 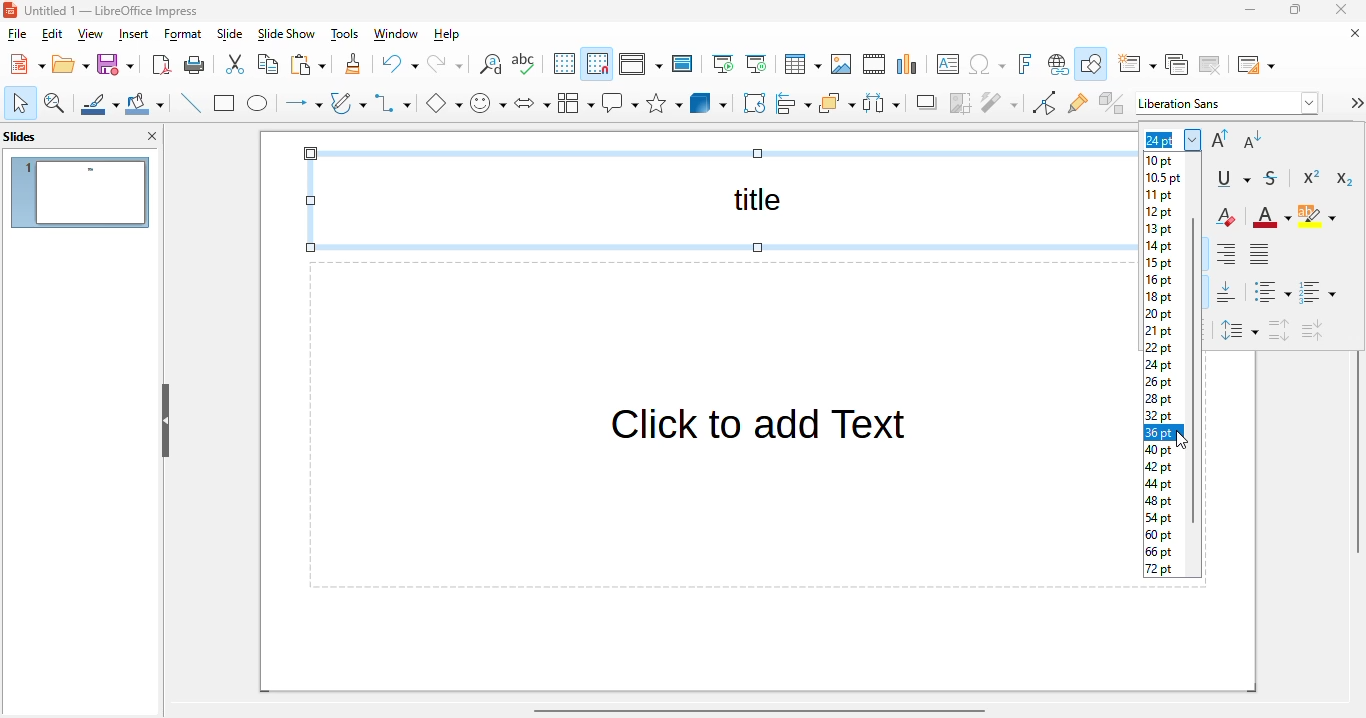 What do you see at coordinates (1280, 330) in the screenshot?
I see `increase paragraph spacing` at bounding box center [1280, 330].